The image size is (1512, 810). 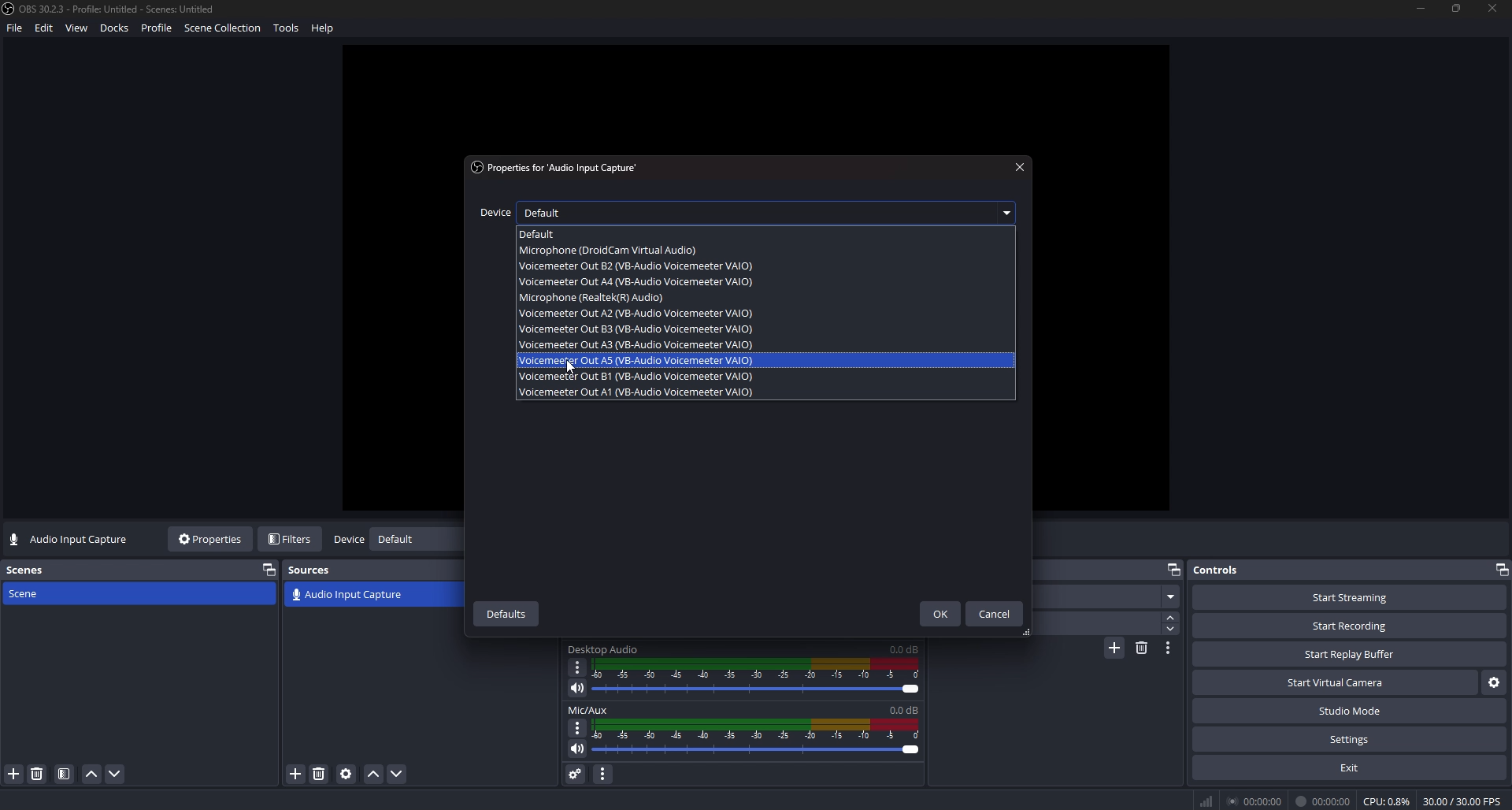 What do you see at coordinates (348, 541) in the screenshot?
I see `device` at bounding box center [348, 541].